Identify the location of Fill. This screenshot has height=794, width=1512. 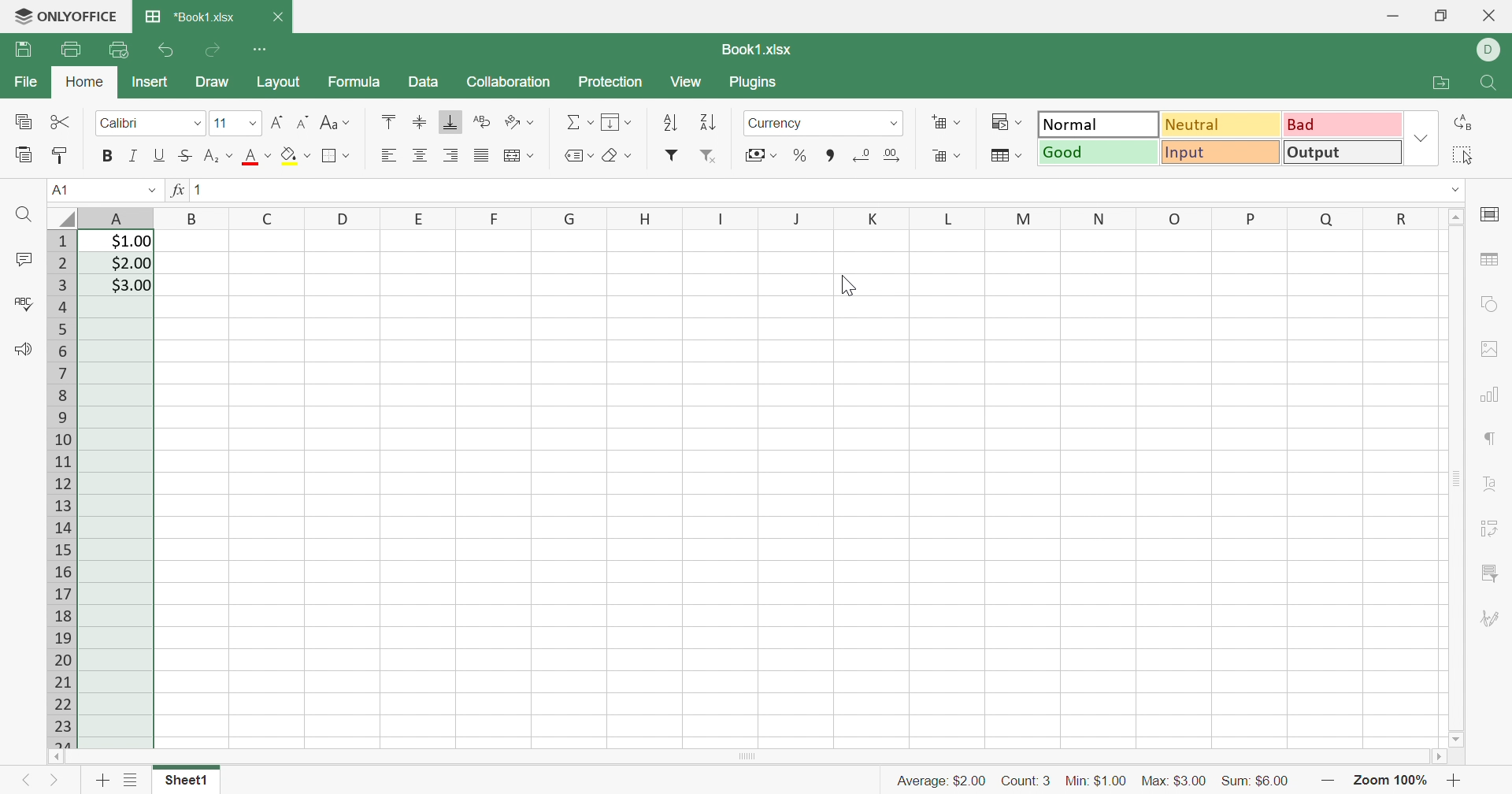
(615, 121).